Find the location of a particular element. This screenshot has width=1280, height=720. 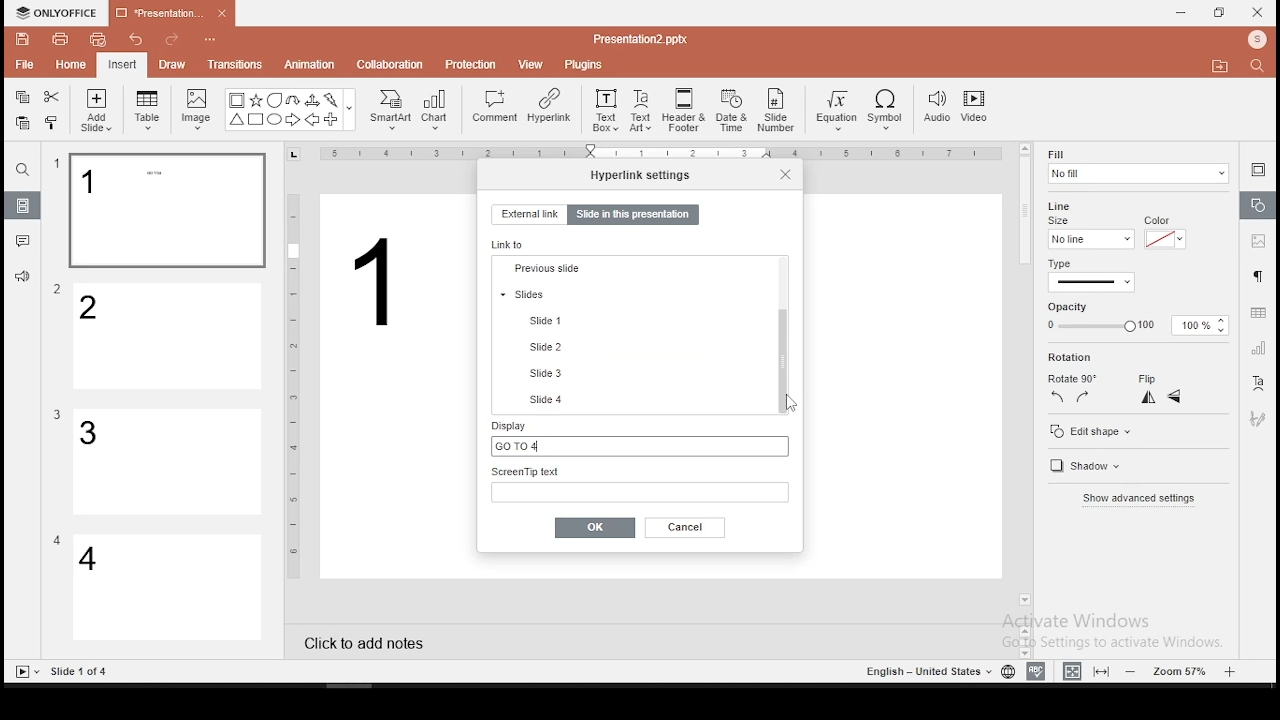

slide in this presentation is located at coordinates (633, 216).